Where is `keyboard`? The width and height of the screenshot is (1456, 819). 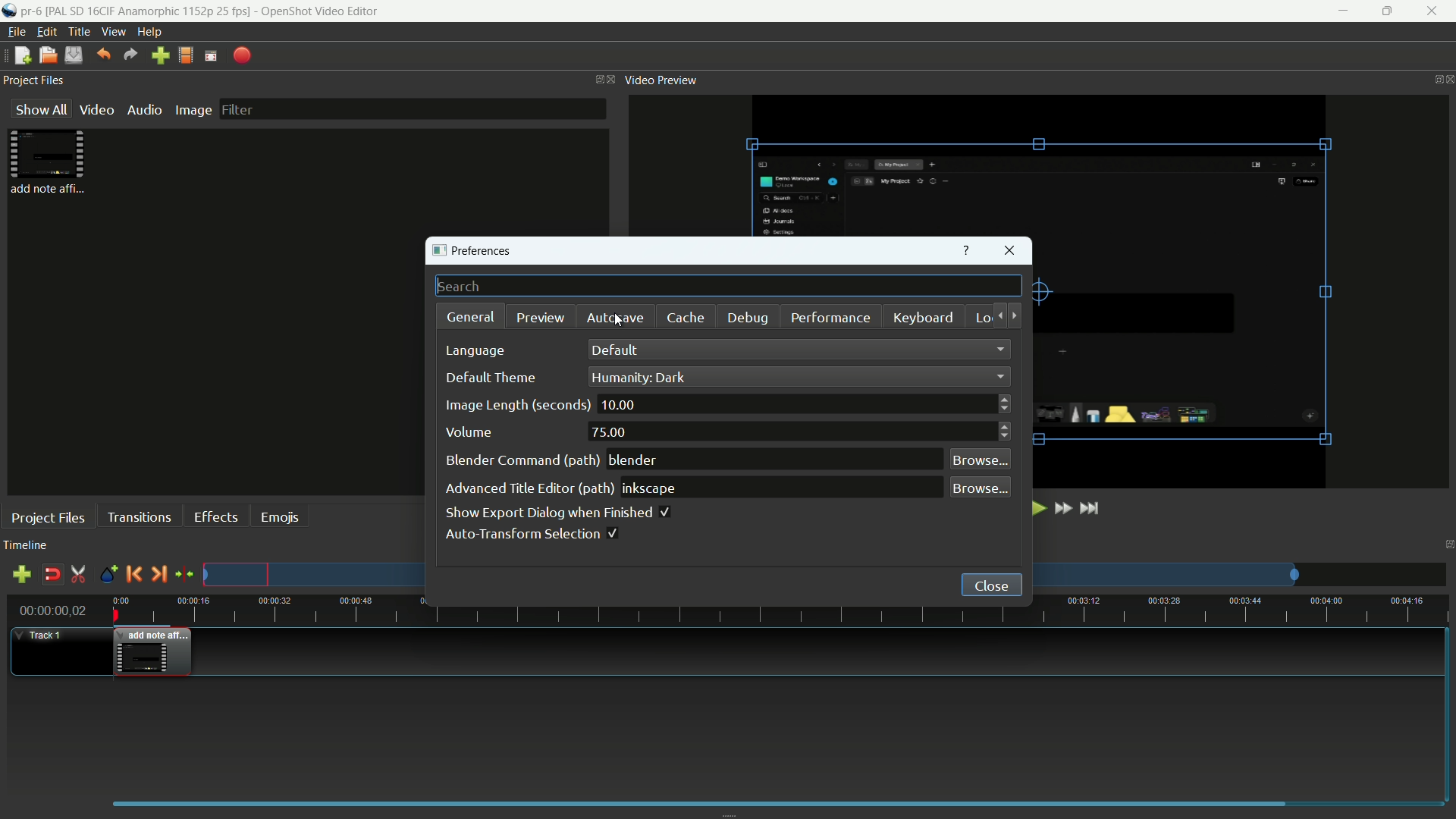
keyboard is located at coordinates (922, 316).